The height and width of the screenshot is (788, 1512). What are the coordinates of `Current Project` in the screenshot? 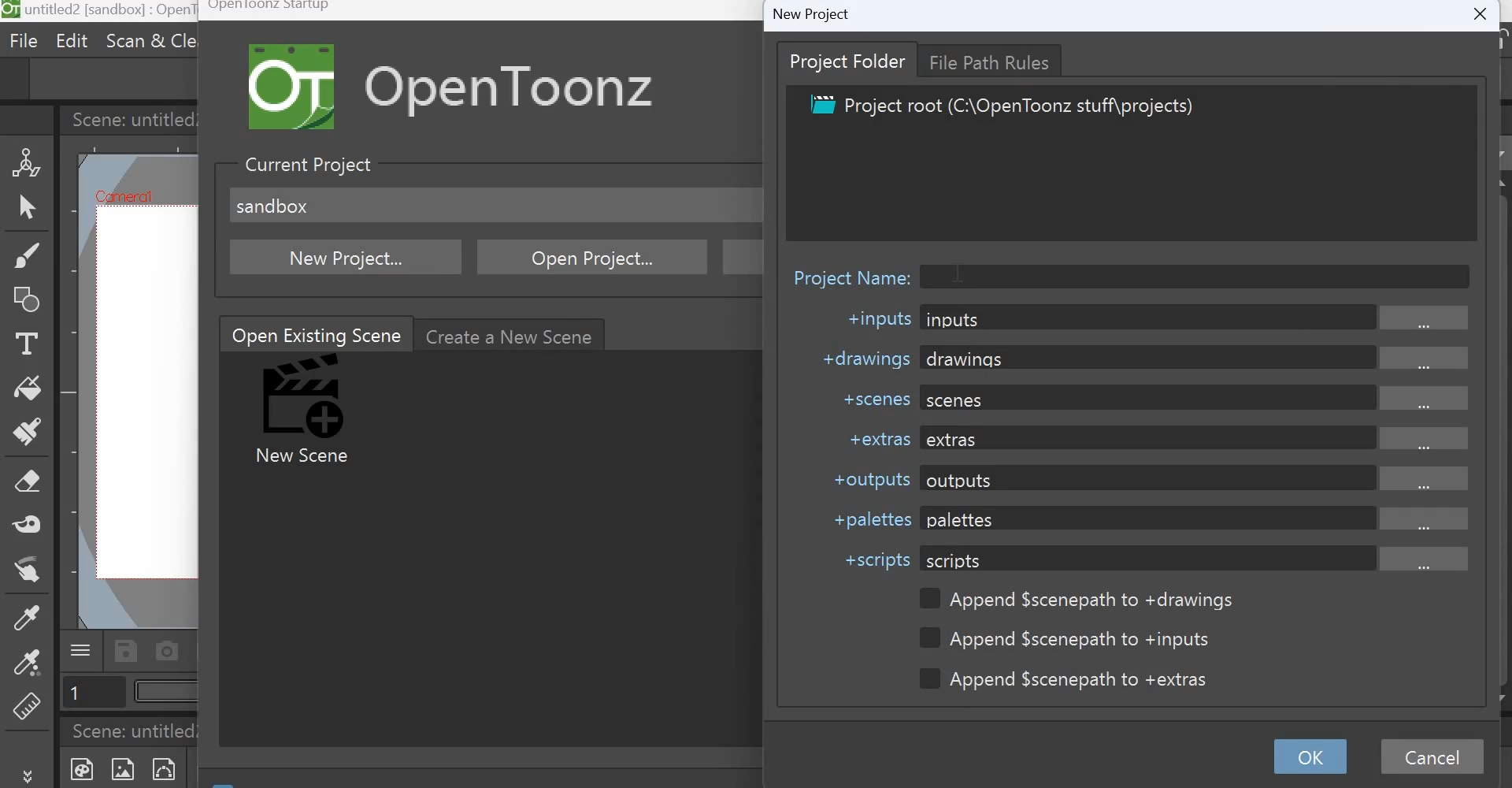 It's located at (306, 165).